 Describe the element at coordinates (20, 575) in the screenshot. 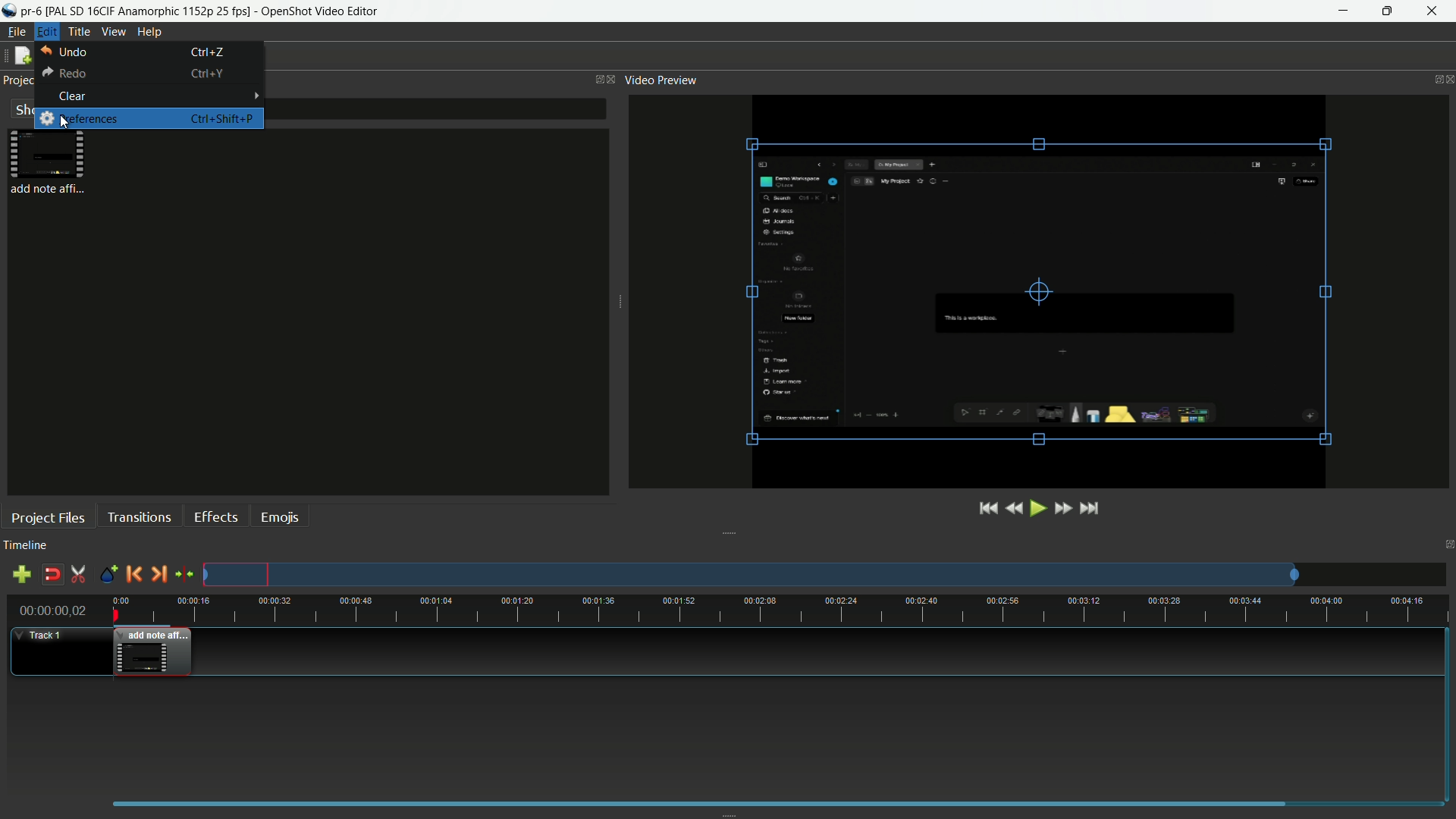

I see `add track` at that location.